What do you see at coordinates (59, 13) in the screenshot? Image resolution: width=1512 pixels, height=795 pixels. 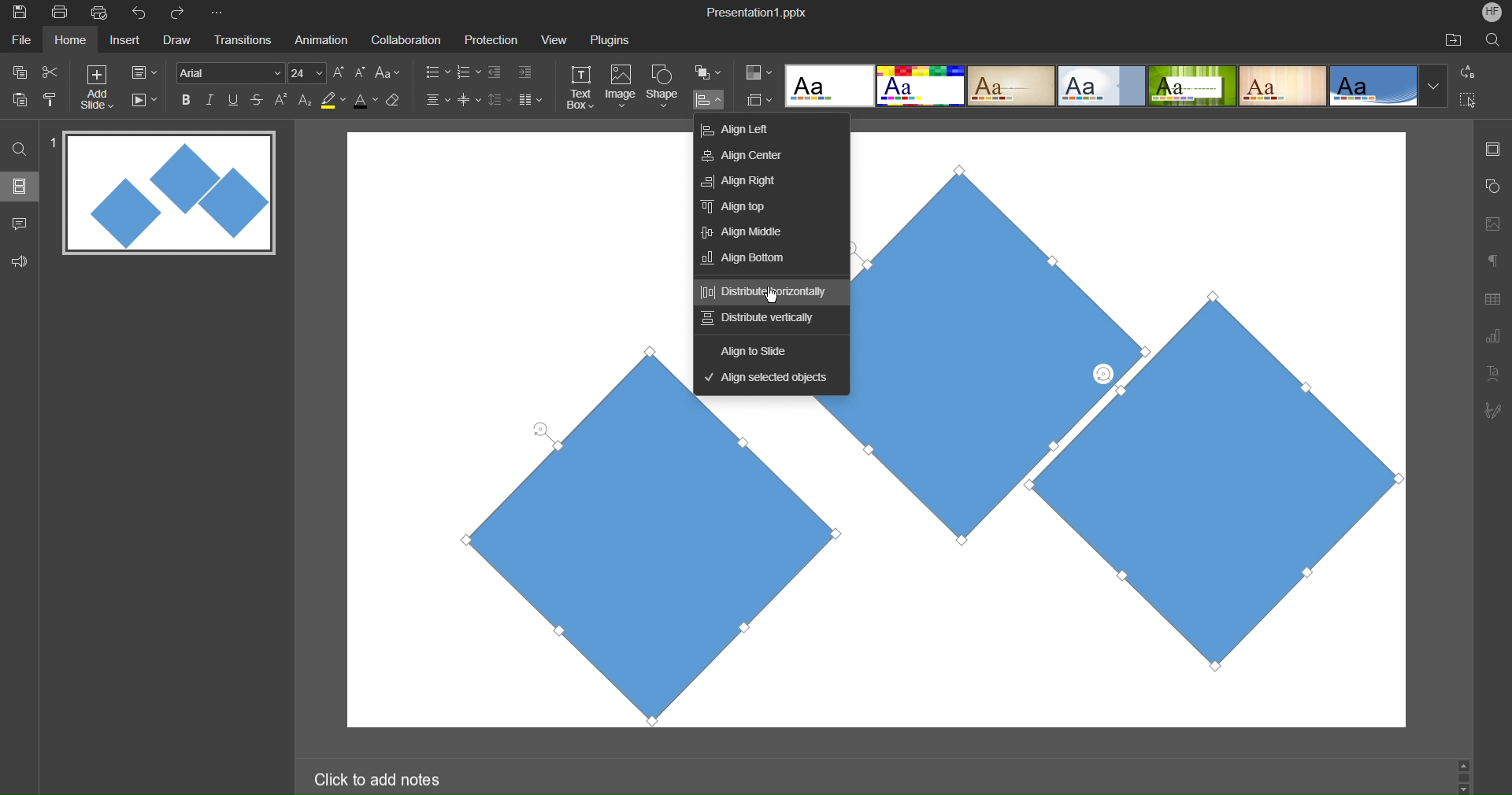 I see `Print` at bounding box center [59, 13].